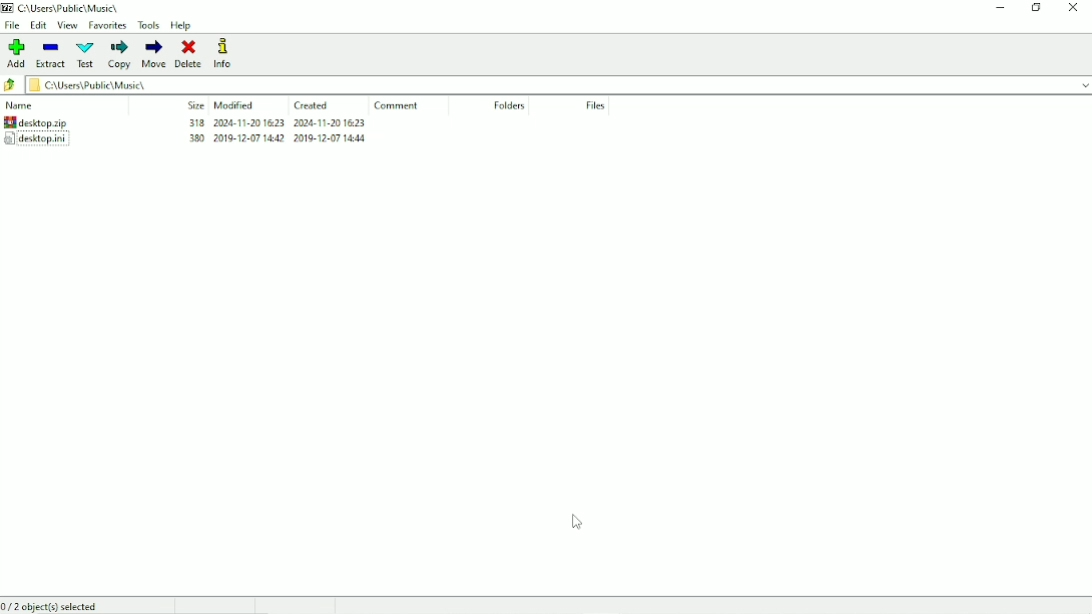 Image resolution: width=1092 pixels, height=614 pixels. Describe the element at coordinates (400, 106) in the screenshot. I see `Comment` at that location.